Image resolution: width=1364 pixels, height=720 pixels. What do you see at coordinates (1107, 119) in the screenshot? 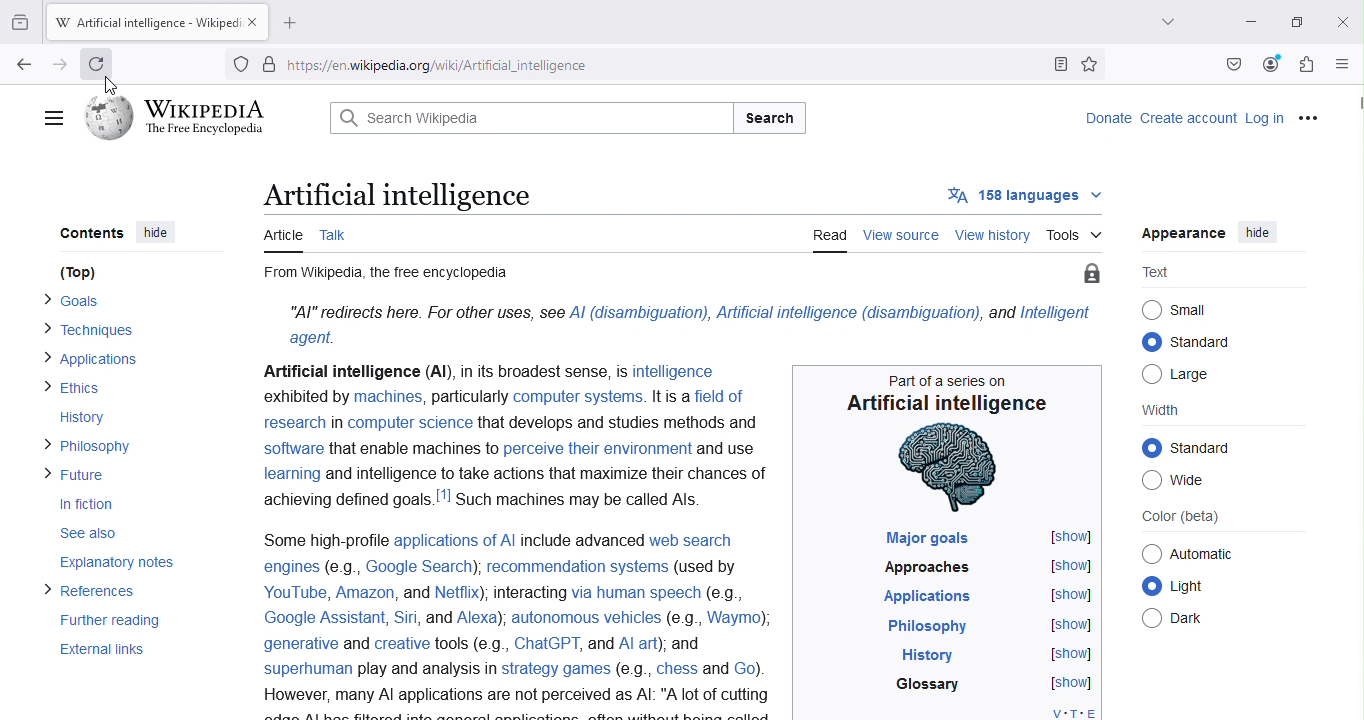
I see `Donate` at bounding box center [1107, 119].